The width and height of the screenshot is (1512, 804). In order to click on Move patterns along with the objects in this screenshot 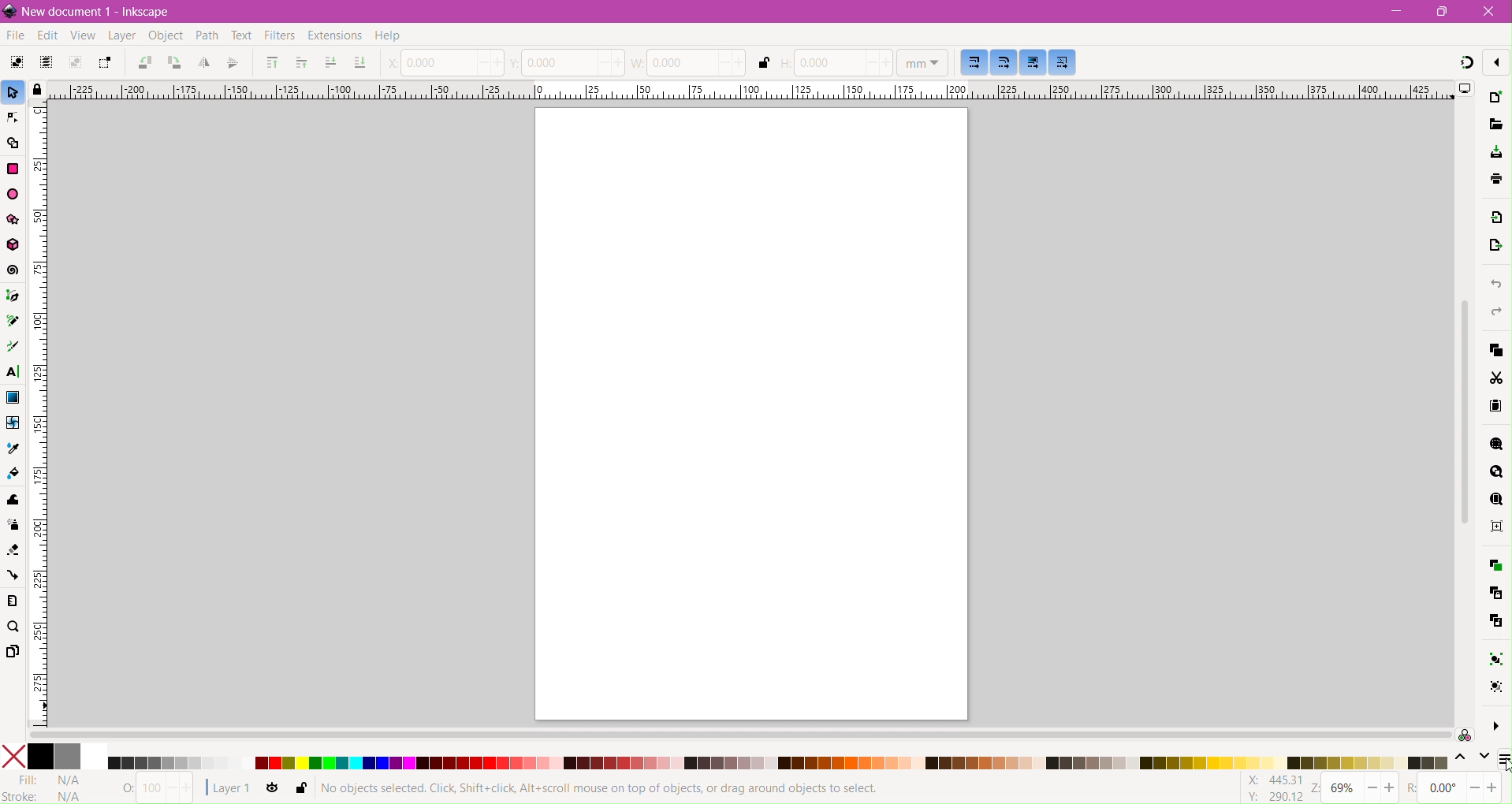, I will do `click(1063, 63)`.